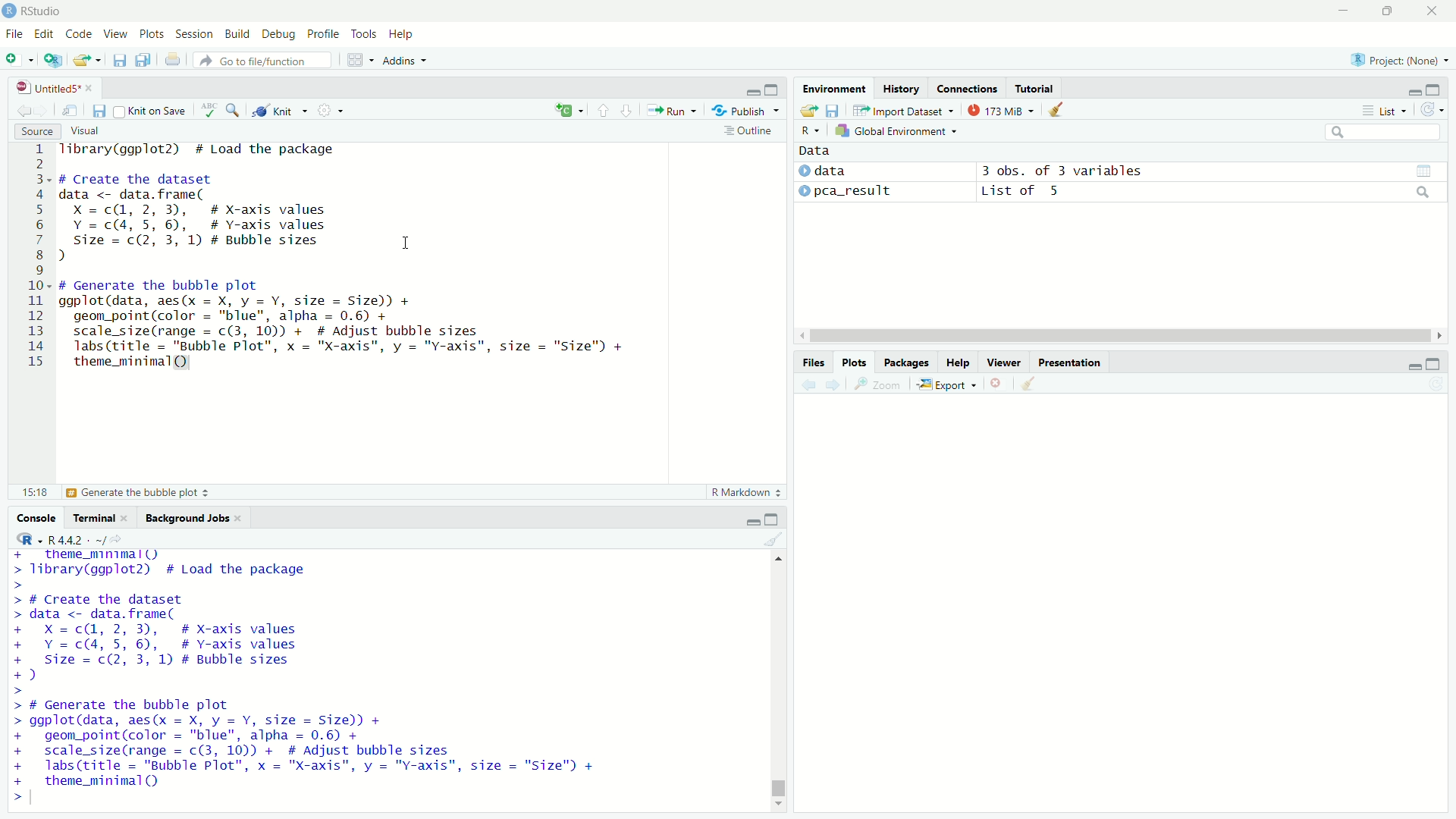  Describe the element at coordinates (403, 61) in the screenshot. I see `addins` at that location.